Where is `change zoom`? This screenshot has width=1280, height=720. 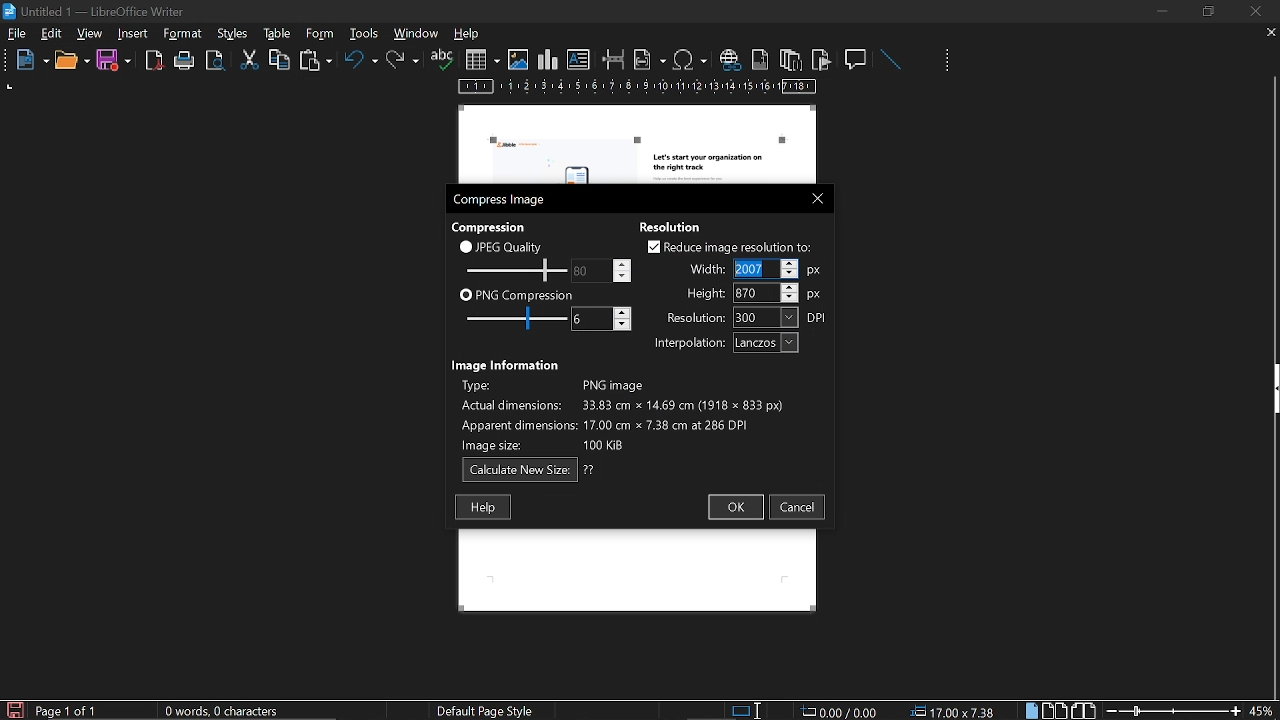 change zoom is located at coordinates (1173, 710).